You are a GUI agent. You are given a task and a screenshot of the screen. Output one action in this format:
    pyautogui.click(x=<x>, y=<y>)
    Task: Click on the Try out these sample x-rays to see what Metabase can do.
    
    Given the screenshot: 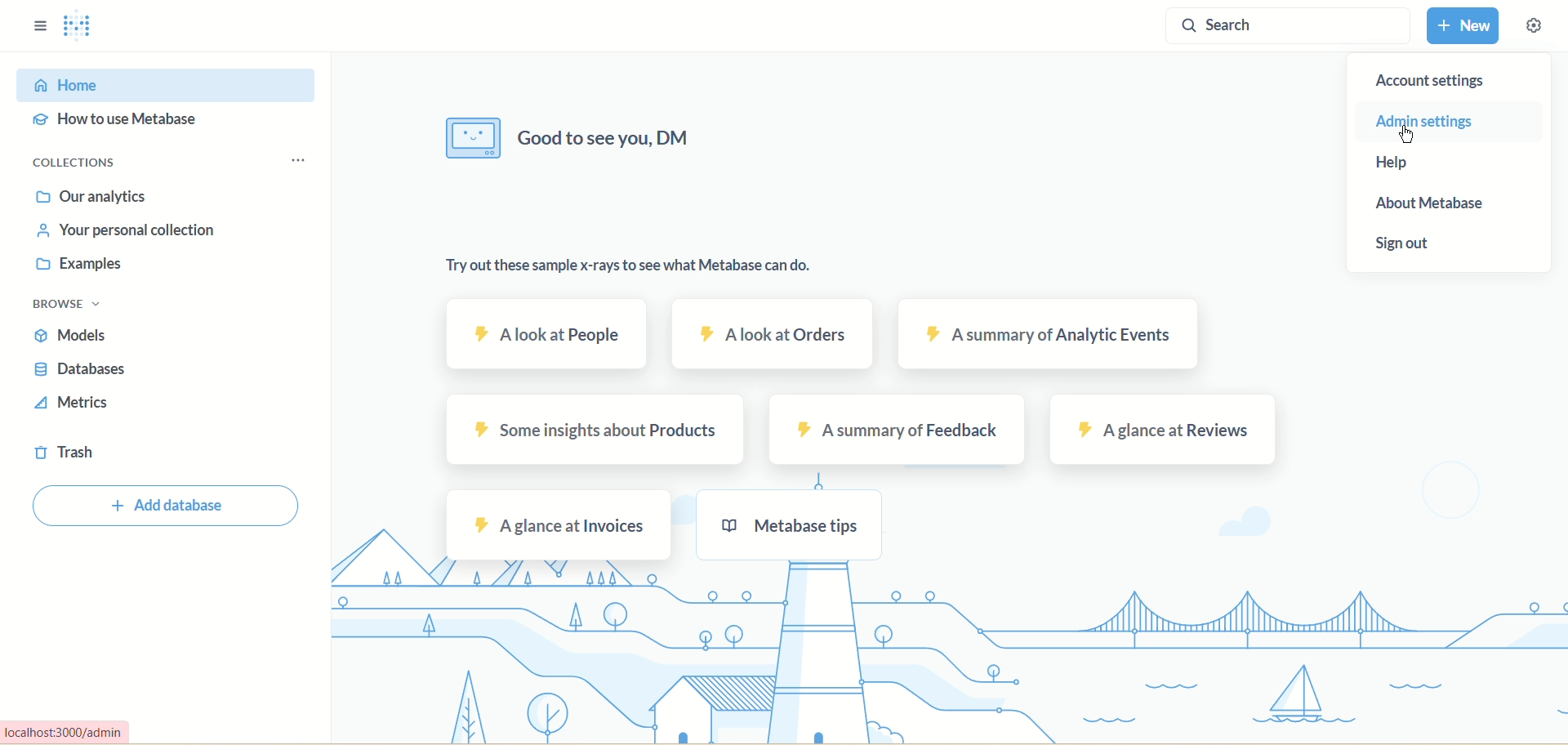 What is the action you would take?
    pyautogui.click(x=629, y=265)
    